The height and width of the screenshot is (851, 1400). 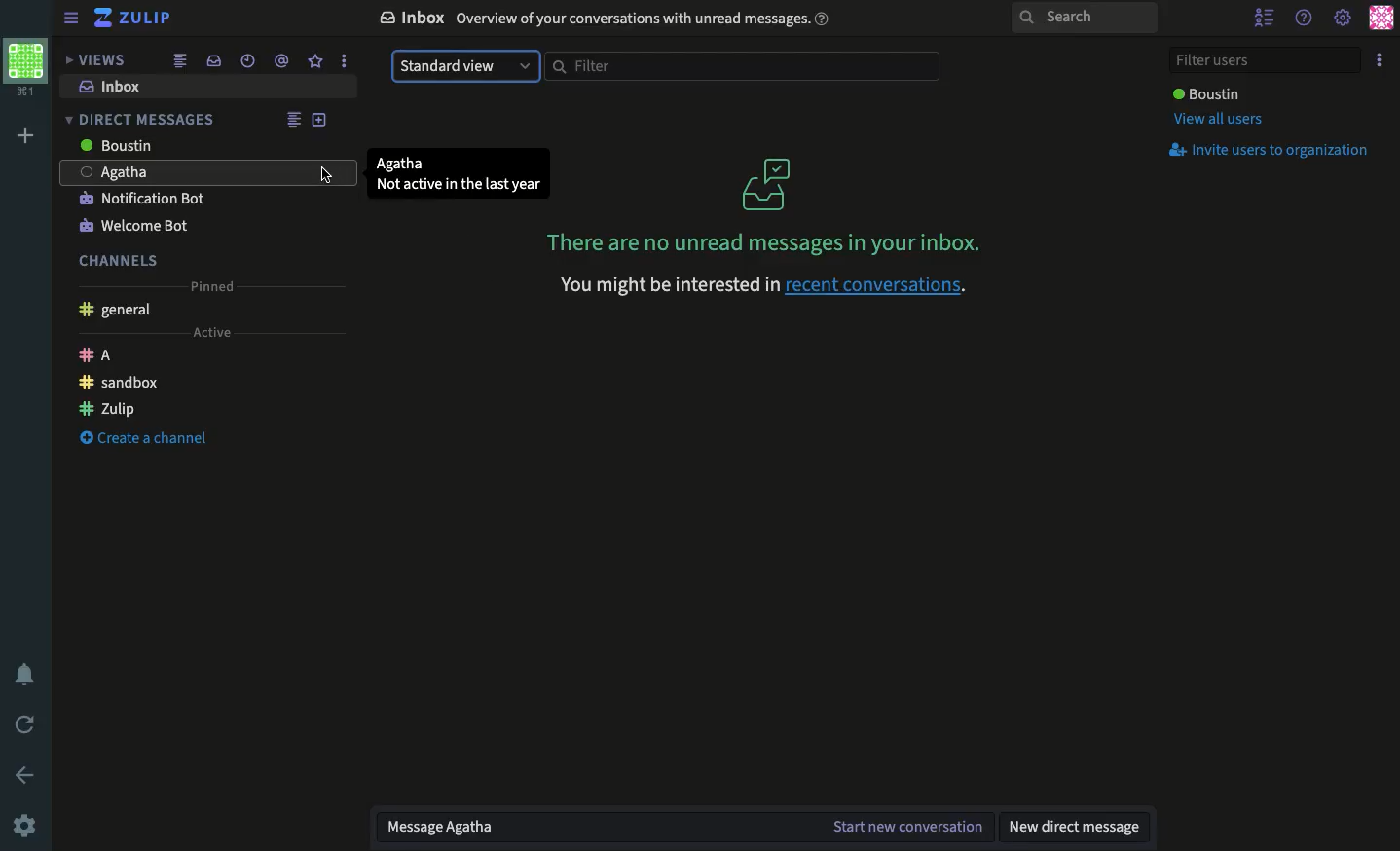 I want to click on Notification bot, so click(x=142, y=197).